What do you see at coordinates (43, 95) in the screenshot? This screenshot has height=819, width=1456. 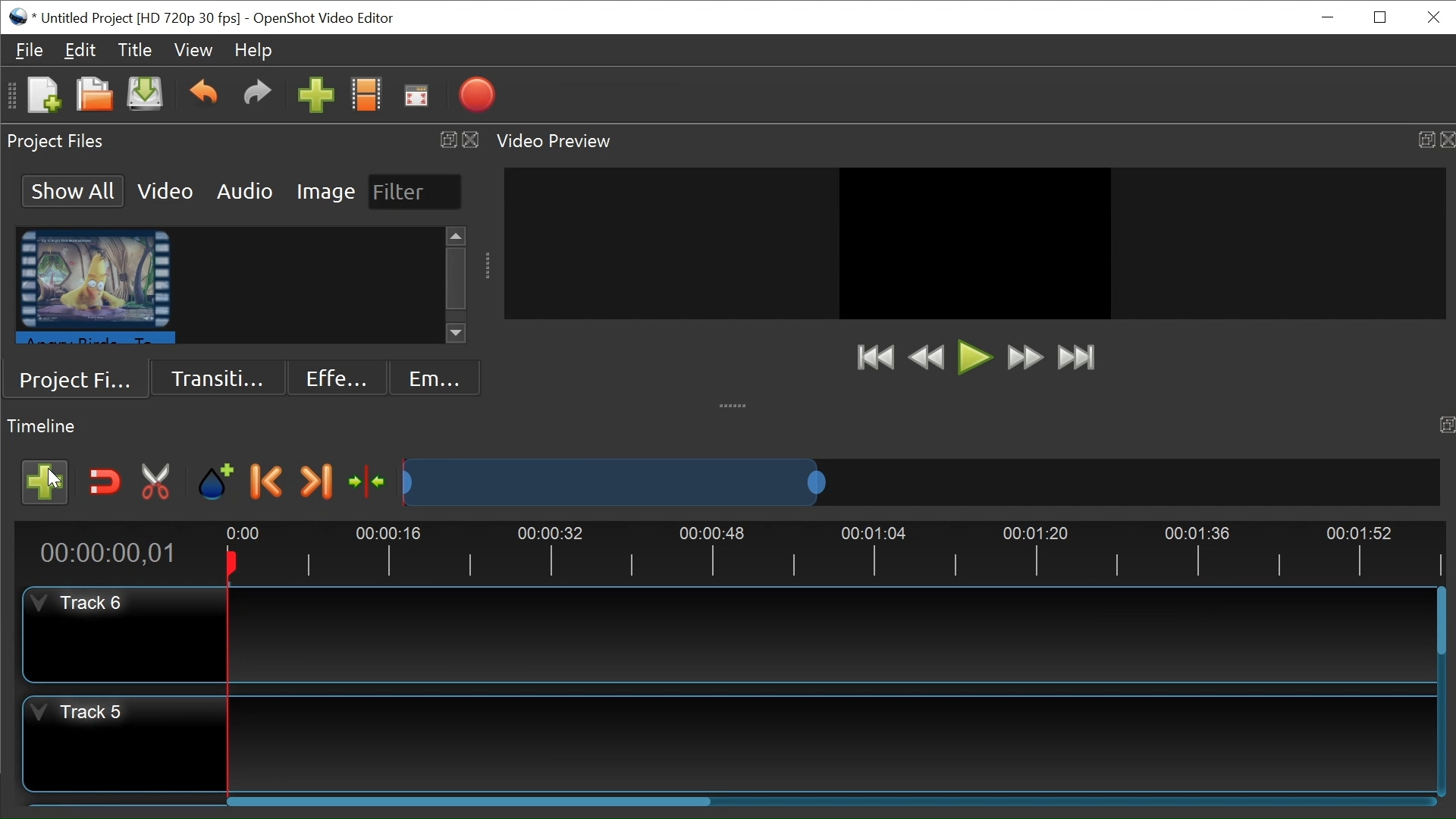 I see `New File` at bounding box center [43, 95].